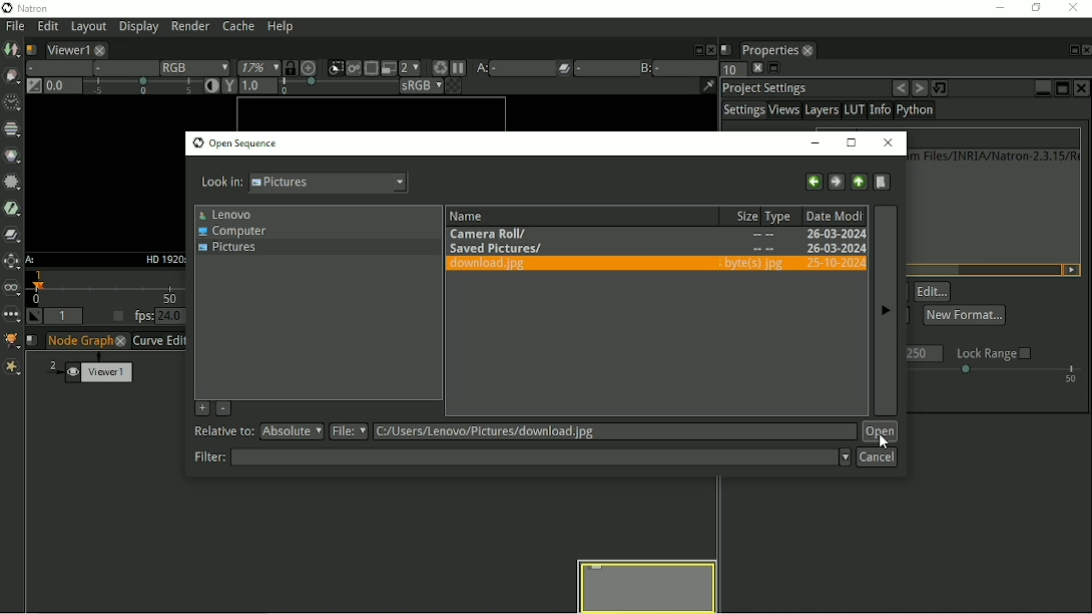  Describe the element at coordinates (933, 292) in the screenshot. I see `Edit` at that location.